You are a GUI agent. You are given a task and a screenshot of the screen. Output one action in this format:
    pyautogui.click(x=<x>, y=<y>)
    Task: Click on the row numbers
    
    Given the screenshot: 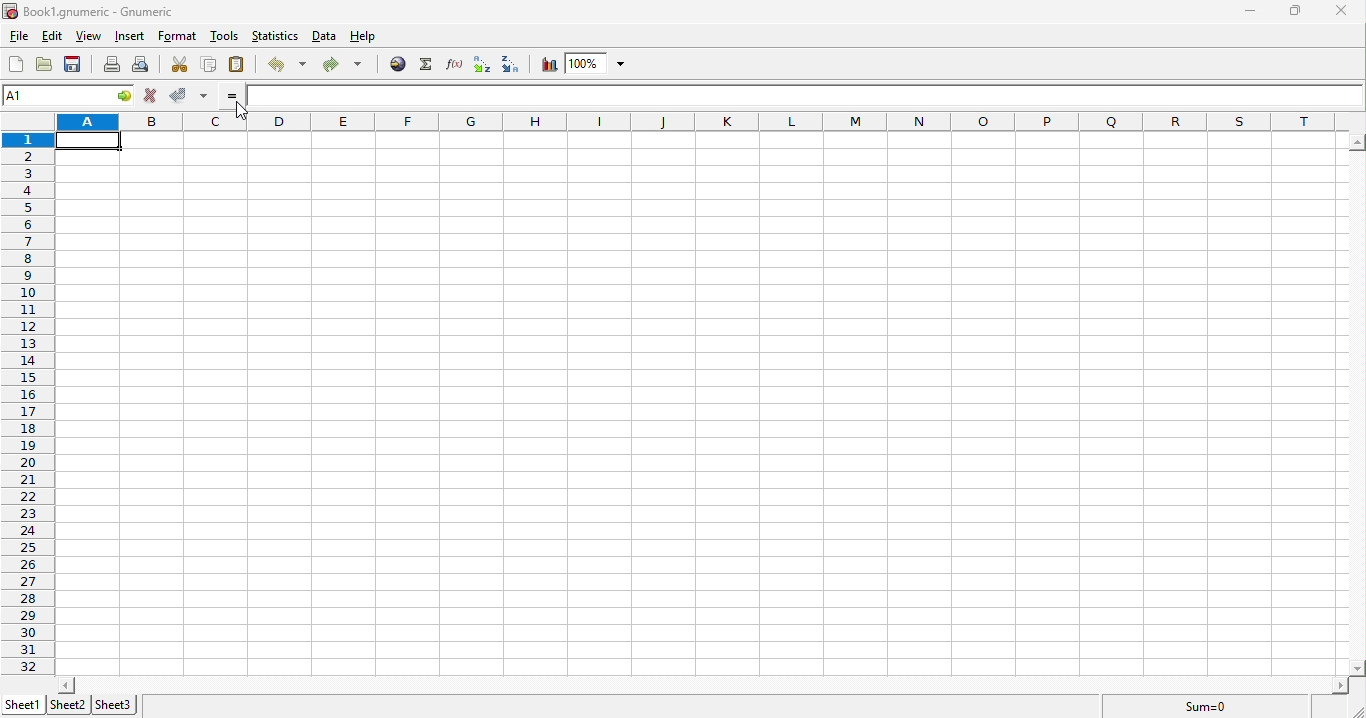 What is the action you would take?
    pyautogui.click(x=29, y=403)
    